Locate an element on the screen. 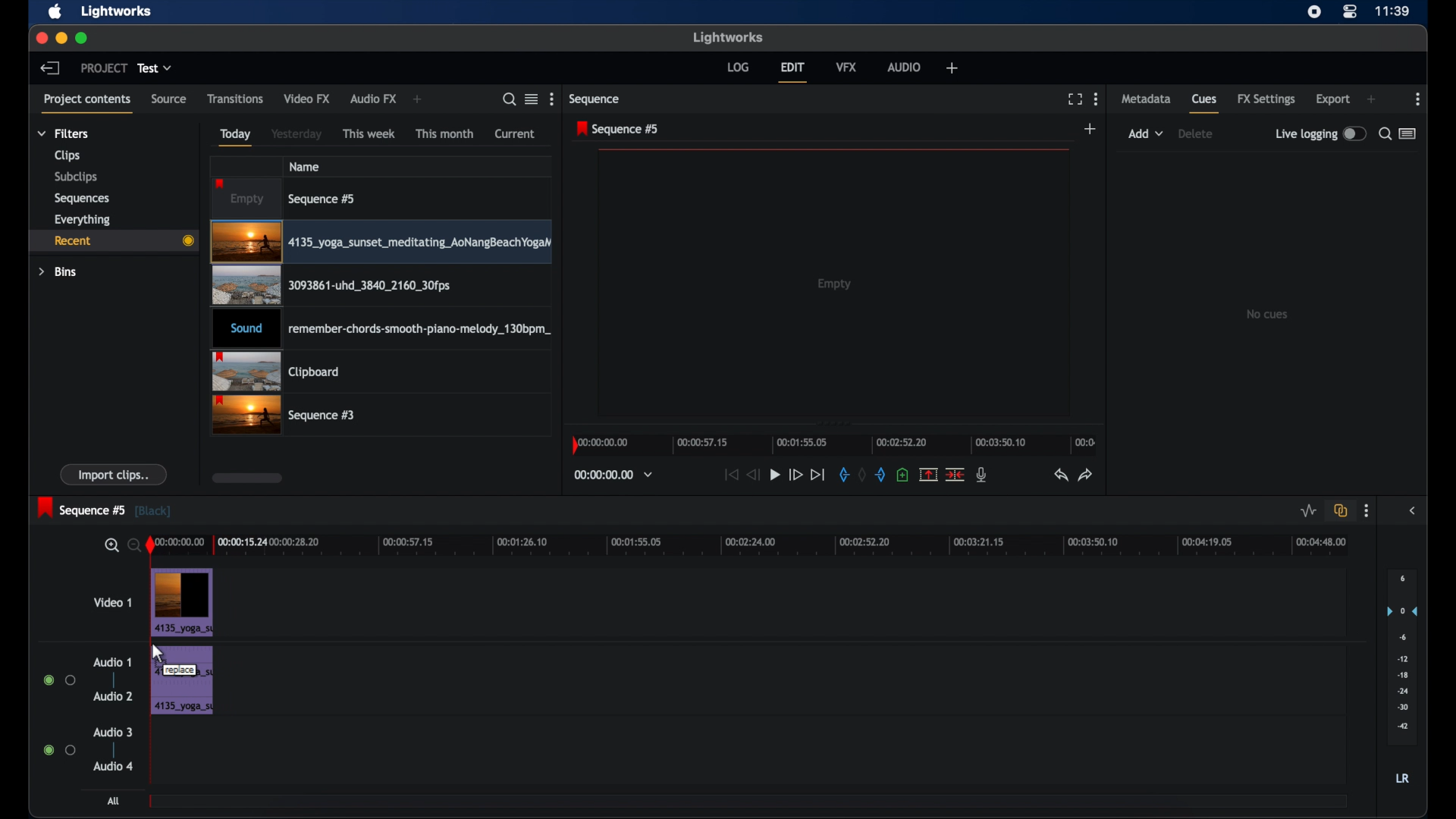 Image resolution: width=1456 pixels, height=819 pixels. timecodes and reels is located at coordinates (617, 474).